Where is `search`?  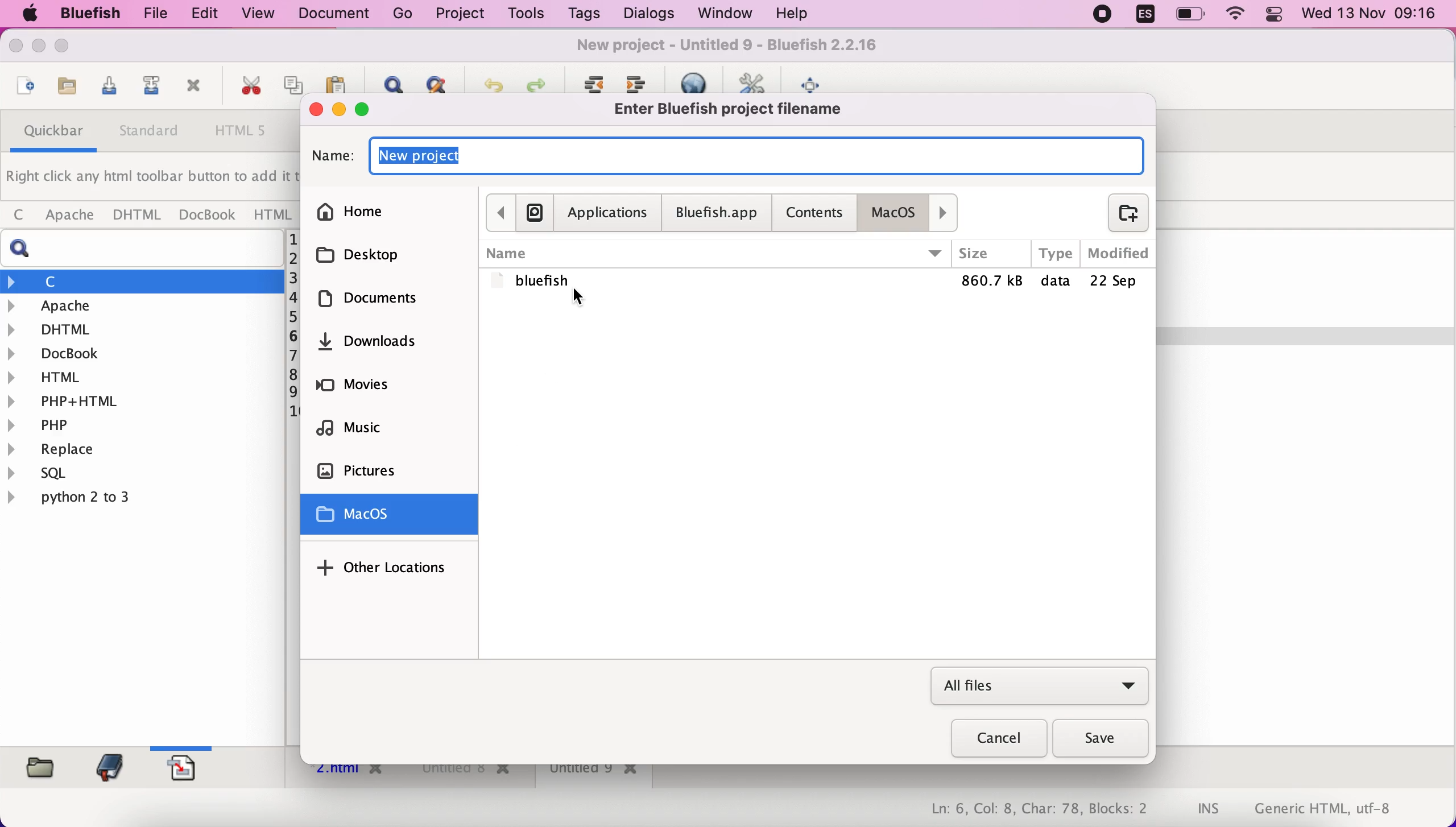
search is located at coordinates (147, 249).